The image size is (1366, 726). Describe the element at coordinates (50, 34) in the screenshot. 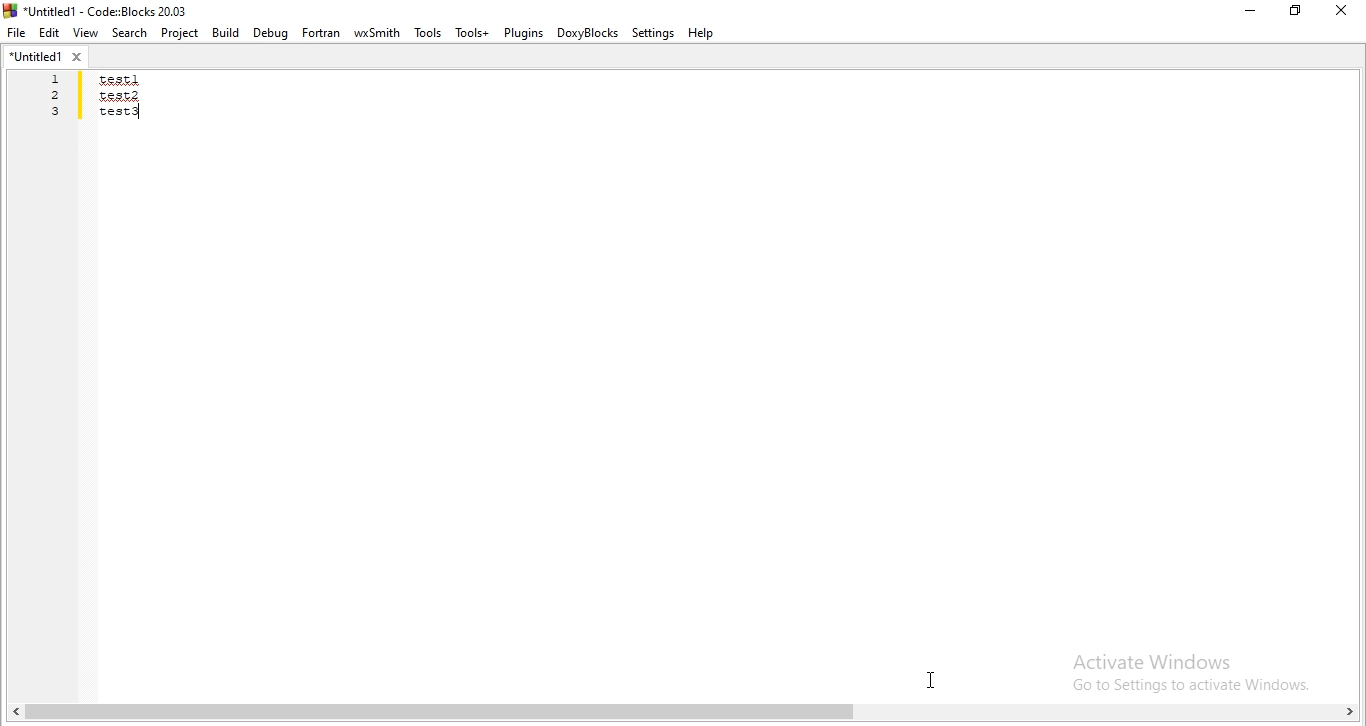

I see `Edit ` at that location.